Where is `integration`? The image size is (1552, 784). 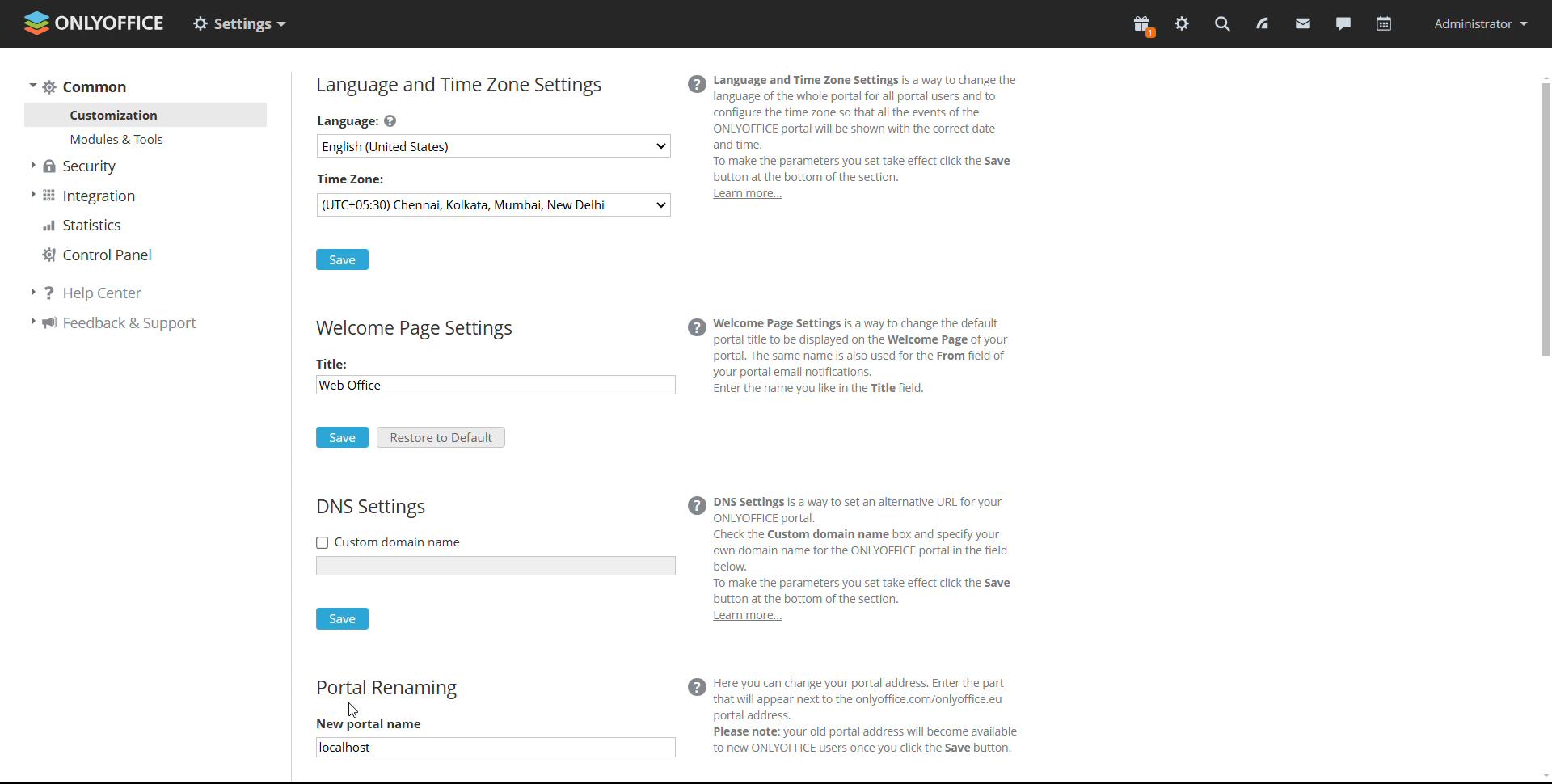
integration is located at coordinates (82, 196).